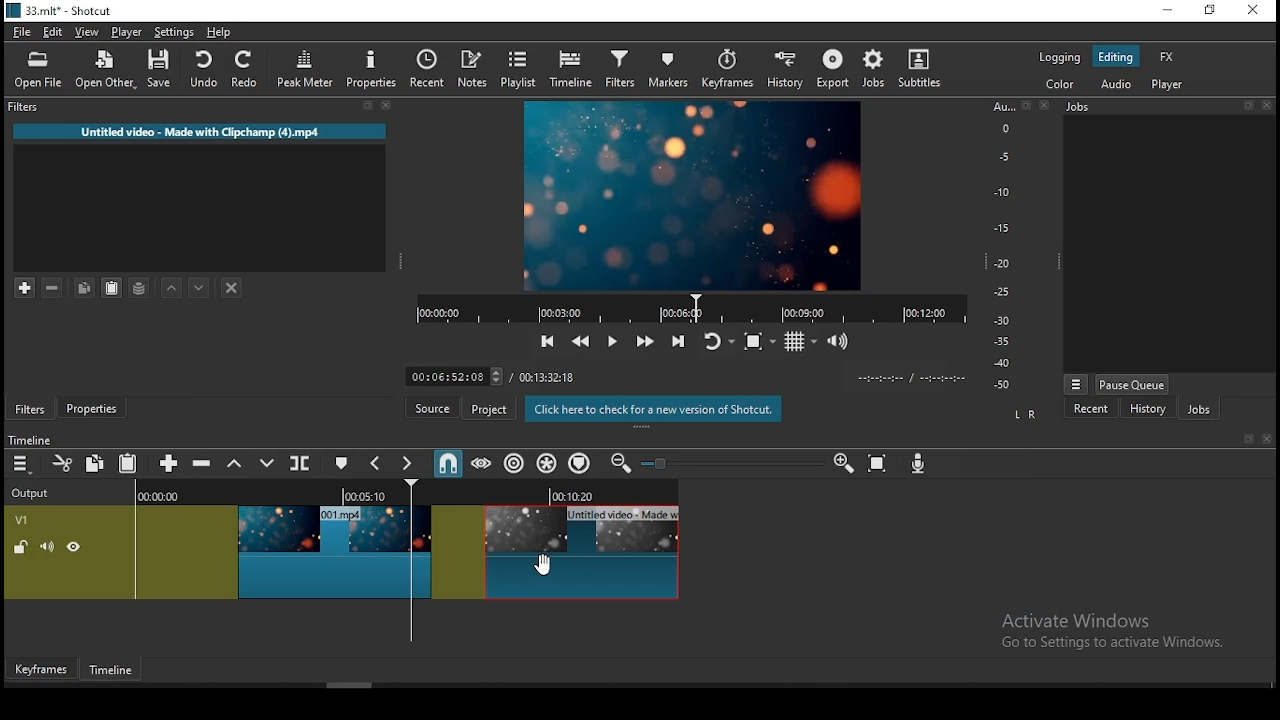 Image resolution: width=1280 pixels, height=720 pixels. I want to click on timeline, so click(34, 437).